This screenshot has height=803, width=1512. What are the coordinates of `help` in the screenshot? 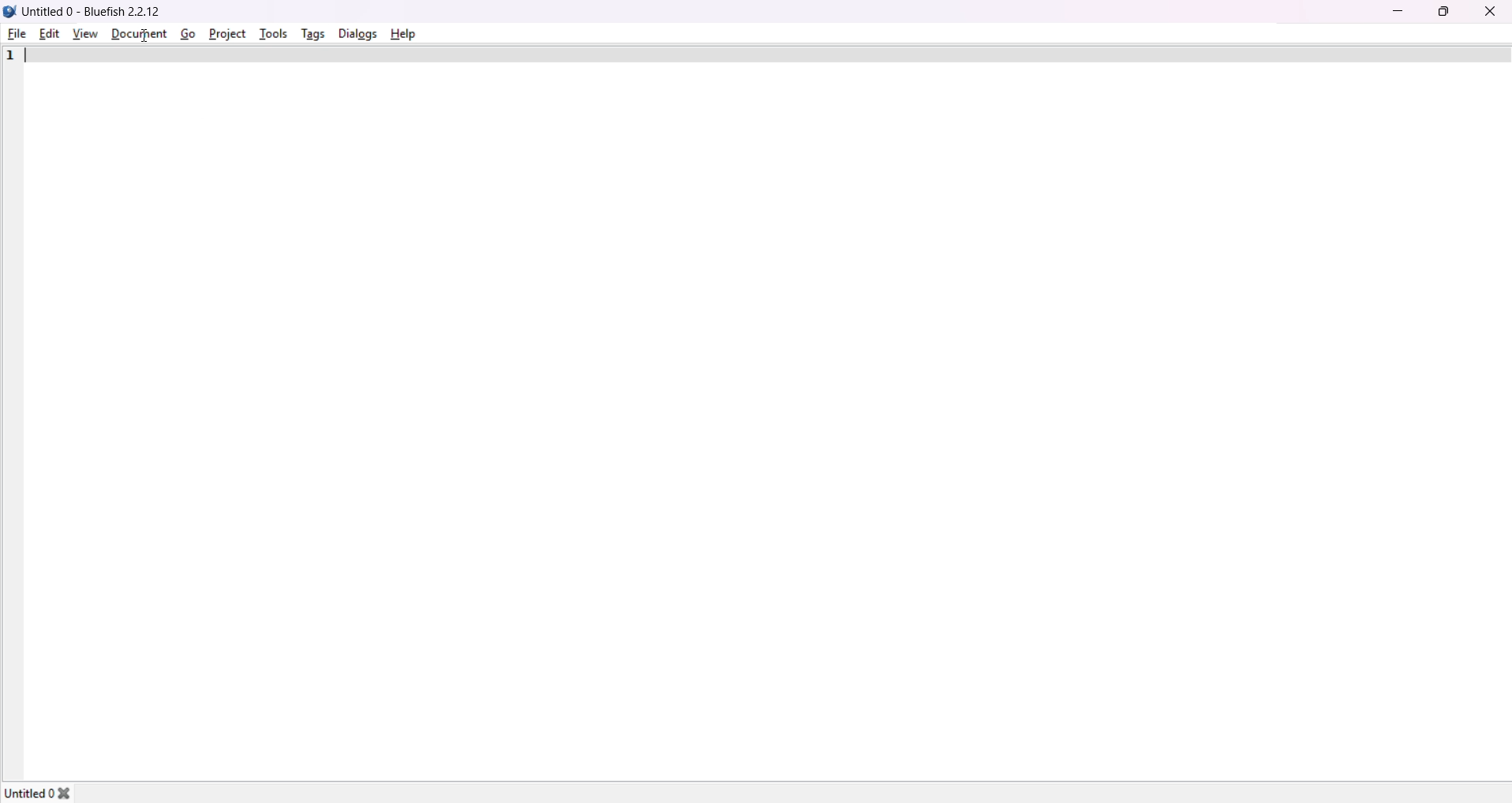 It's located at (402, 32).